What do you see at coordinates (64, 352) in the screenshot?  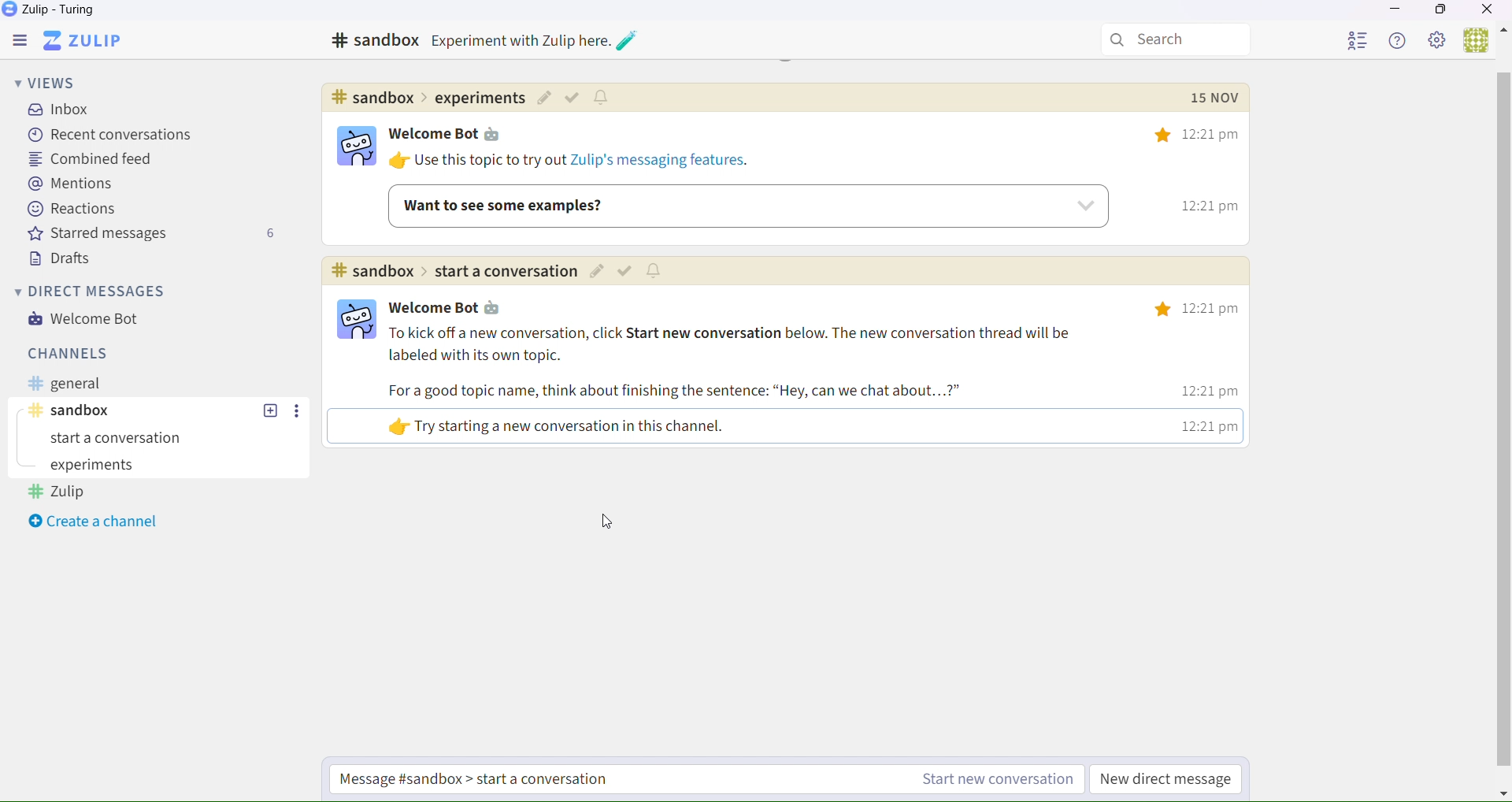 I see `Channels` at bounding box center [64, 352].